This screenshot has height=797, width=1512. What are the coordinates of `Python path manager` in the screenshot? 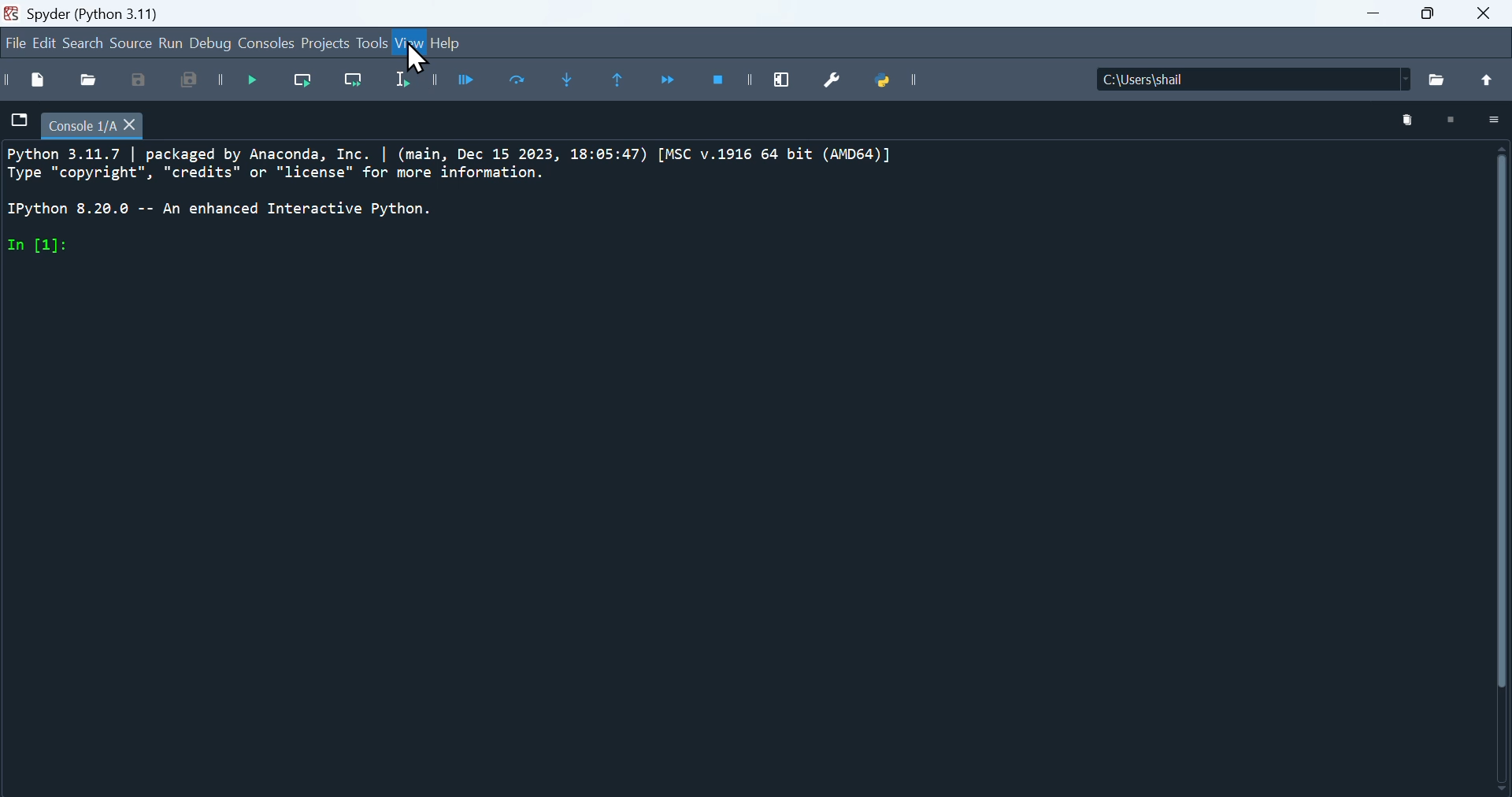 It's located at (897, 85).